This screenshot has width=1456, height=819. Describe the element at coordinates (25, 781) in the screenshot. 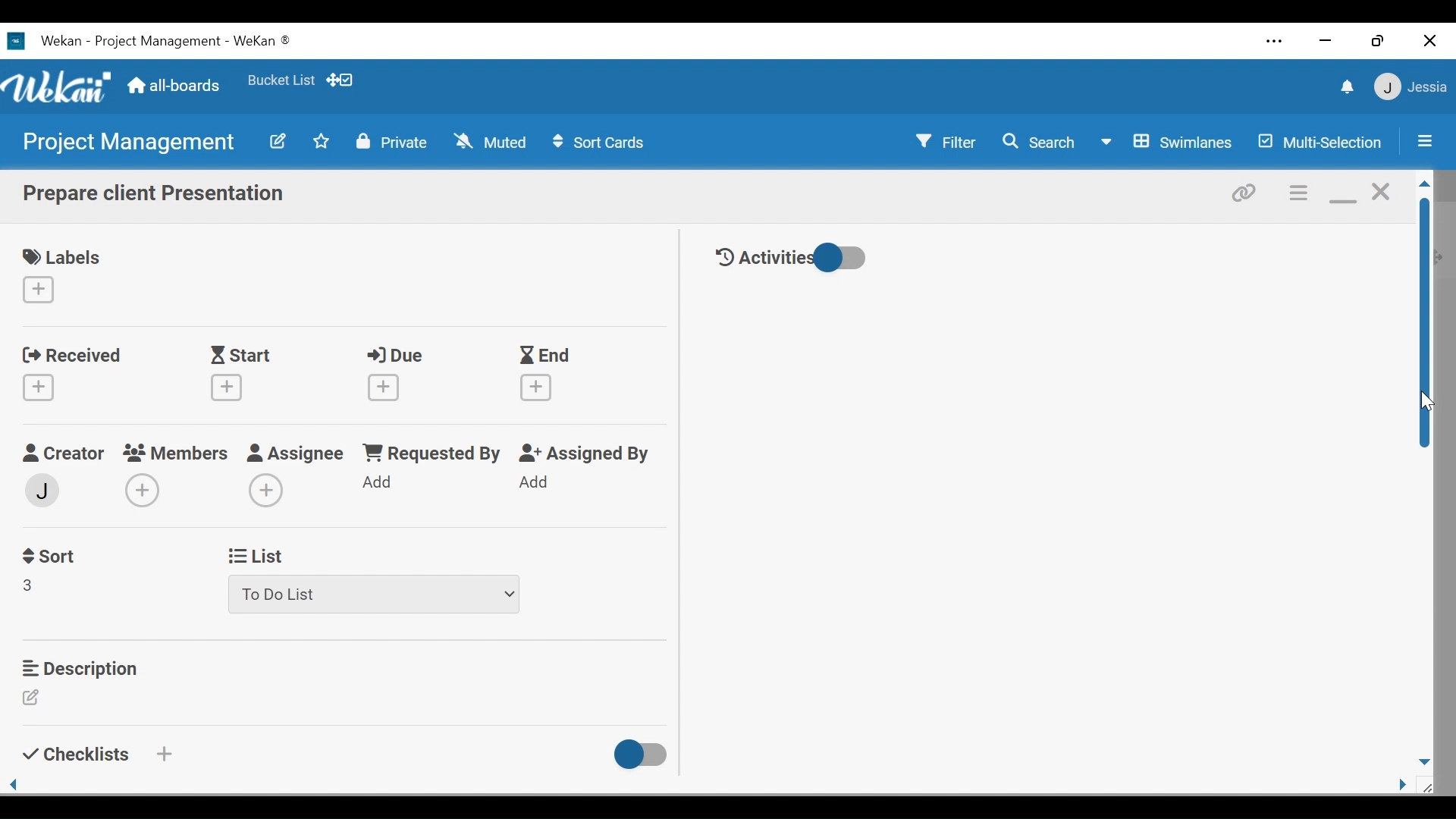

I see `page side` at that location.